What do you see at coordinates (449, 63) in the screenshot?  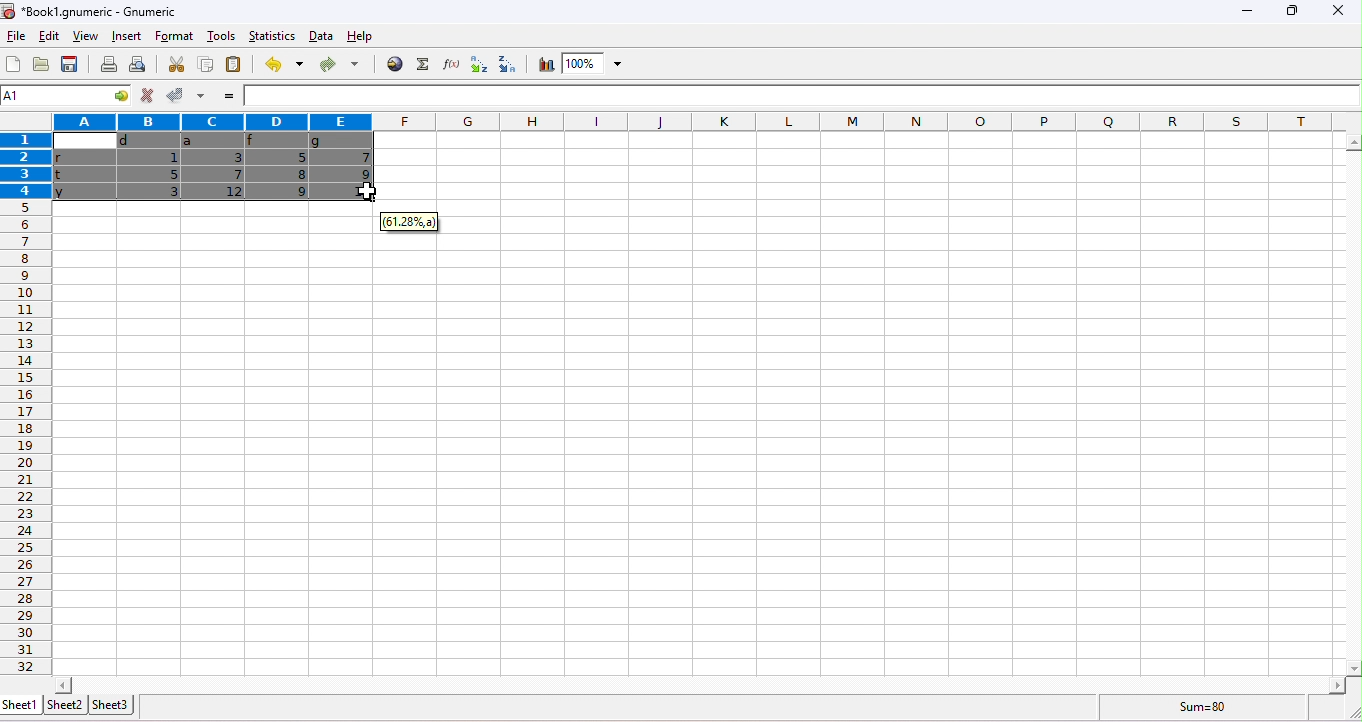 I see `function wizard` at bounding box center [449, 63].